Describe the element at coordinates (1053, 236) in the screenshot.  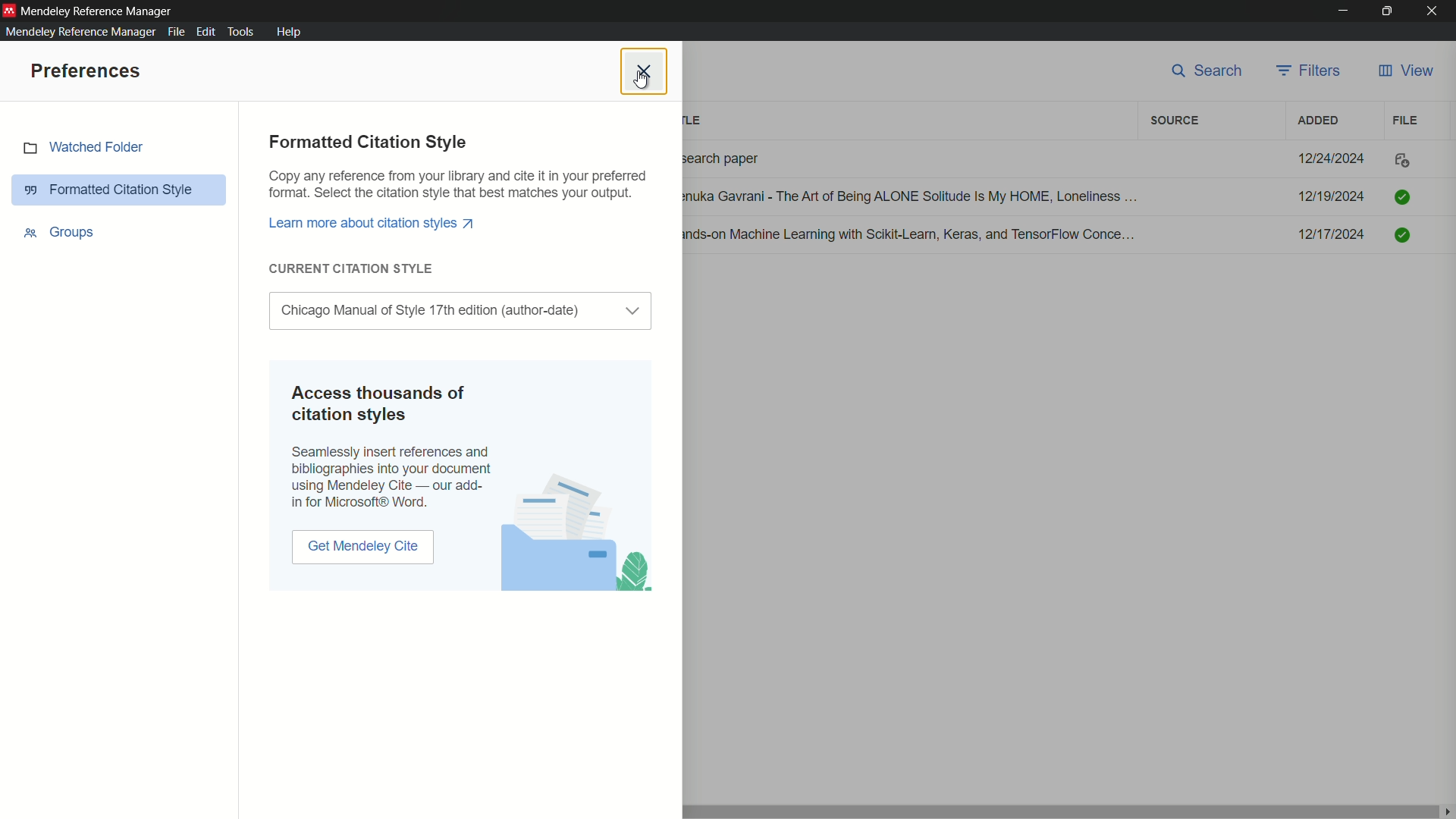
I see `details` at that location.